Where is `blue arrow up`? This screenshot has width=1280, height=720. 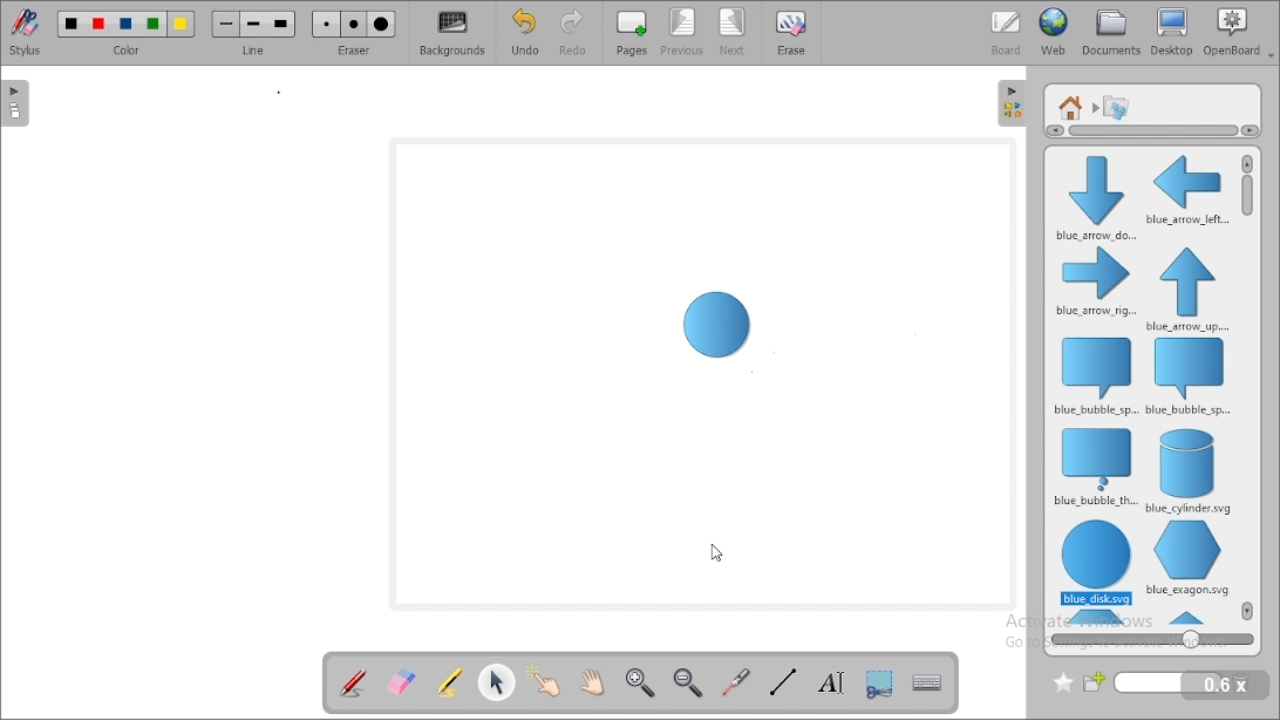
blue arrow up is located at coordinates (1188, 289).